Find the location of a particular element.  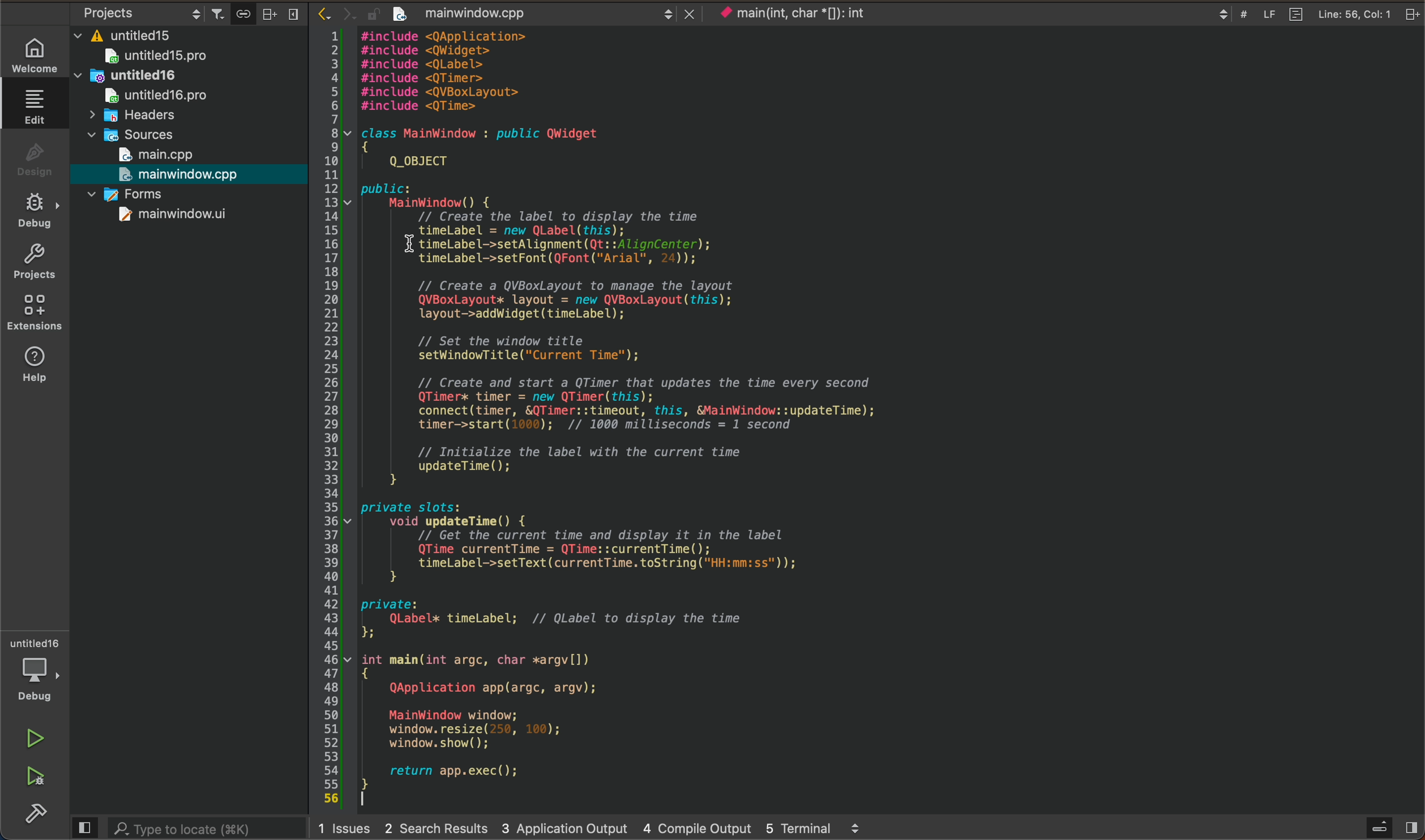

headers is located at coordinates (131, 118).